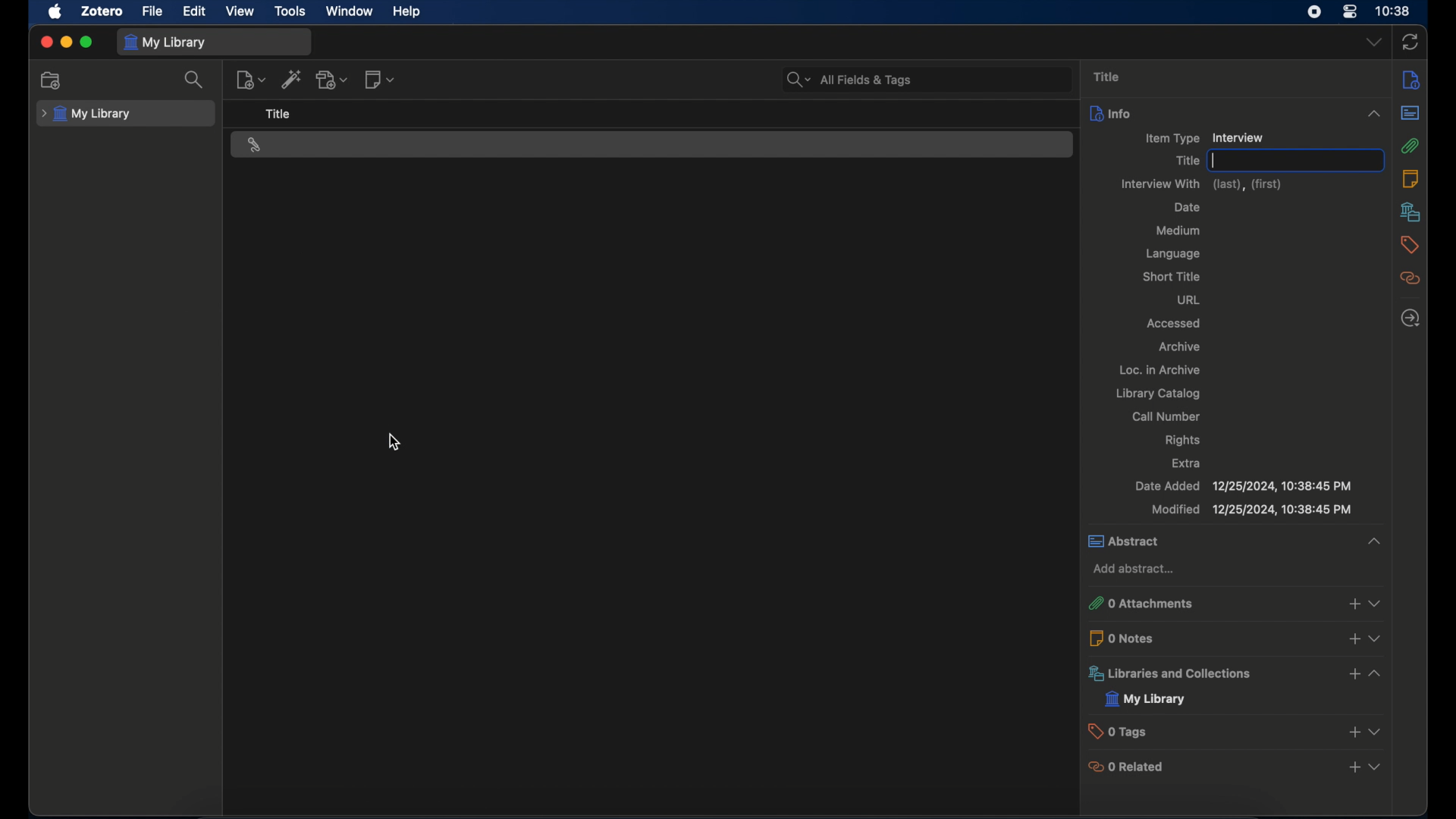 The height and width of the screenshot is (819, 1456). Describe the element at coordinates (1251, 510) in the screenshot. I see `modified` at that location.